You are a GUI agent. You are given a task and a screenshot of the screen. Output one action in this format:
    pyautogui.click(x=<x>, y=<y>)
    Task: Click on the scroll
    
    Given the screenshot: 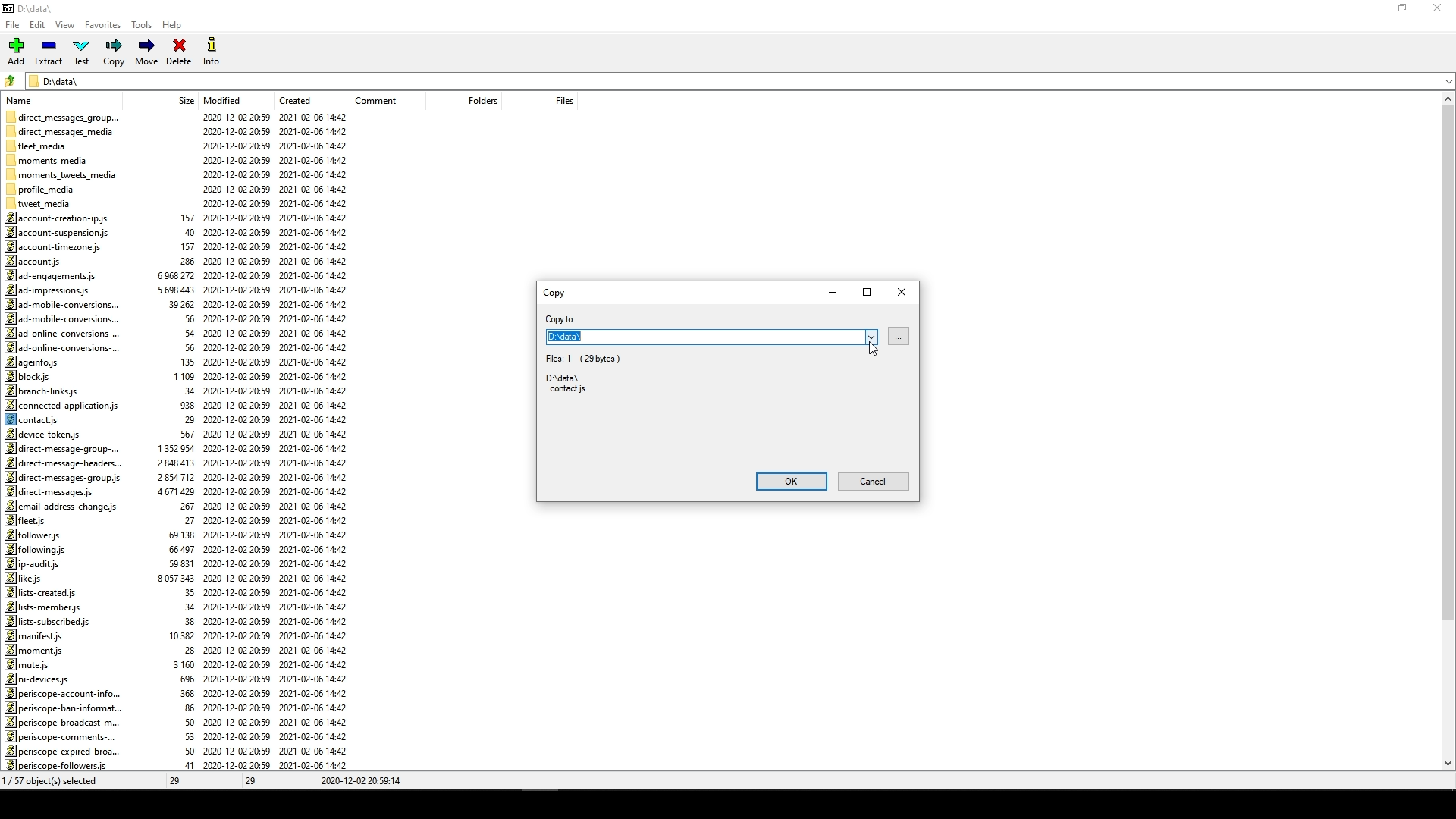 What is the action you would take?
    pyautogui.click(x=1443, y=434)
    